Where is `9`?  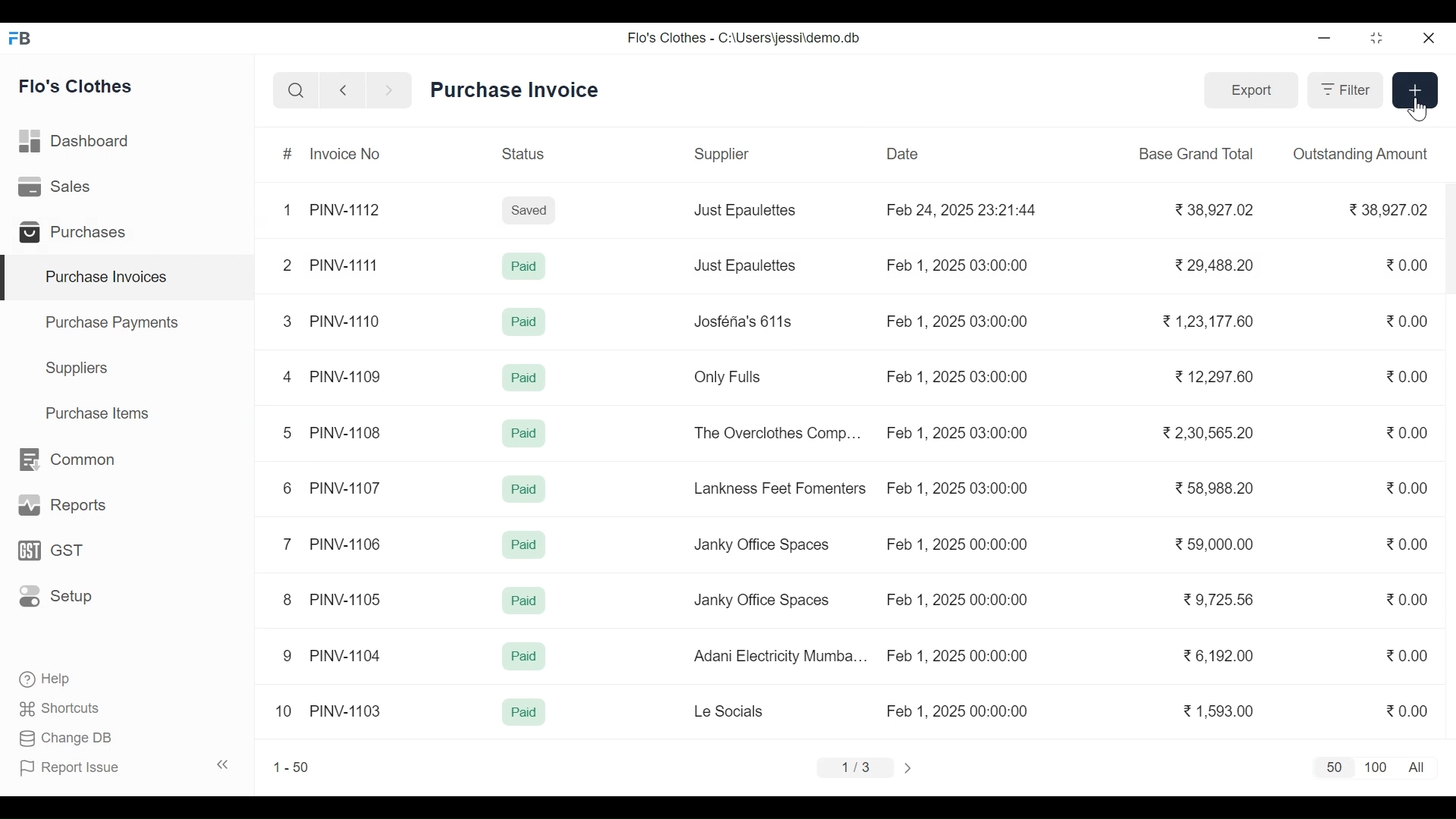
9 is located at coordinates (288, 657).